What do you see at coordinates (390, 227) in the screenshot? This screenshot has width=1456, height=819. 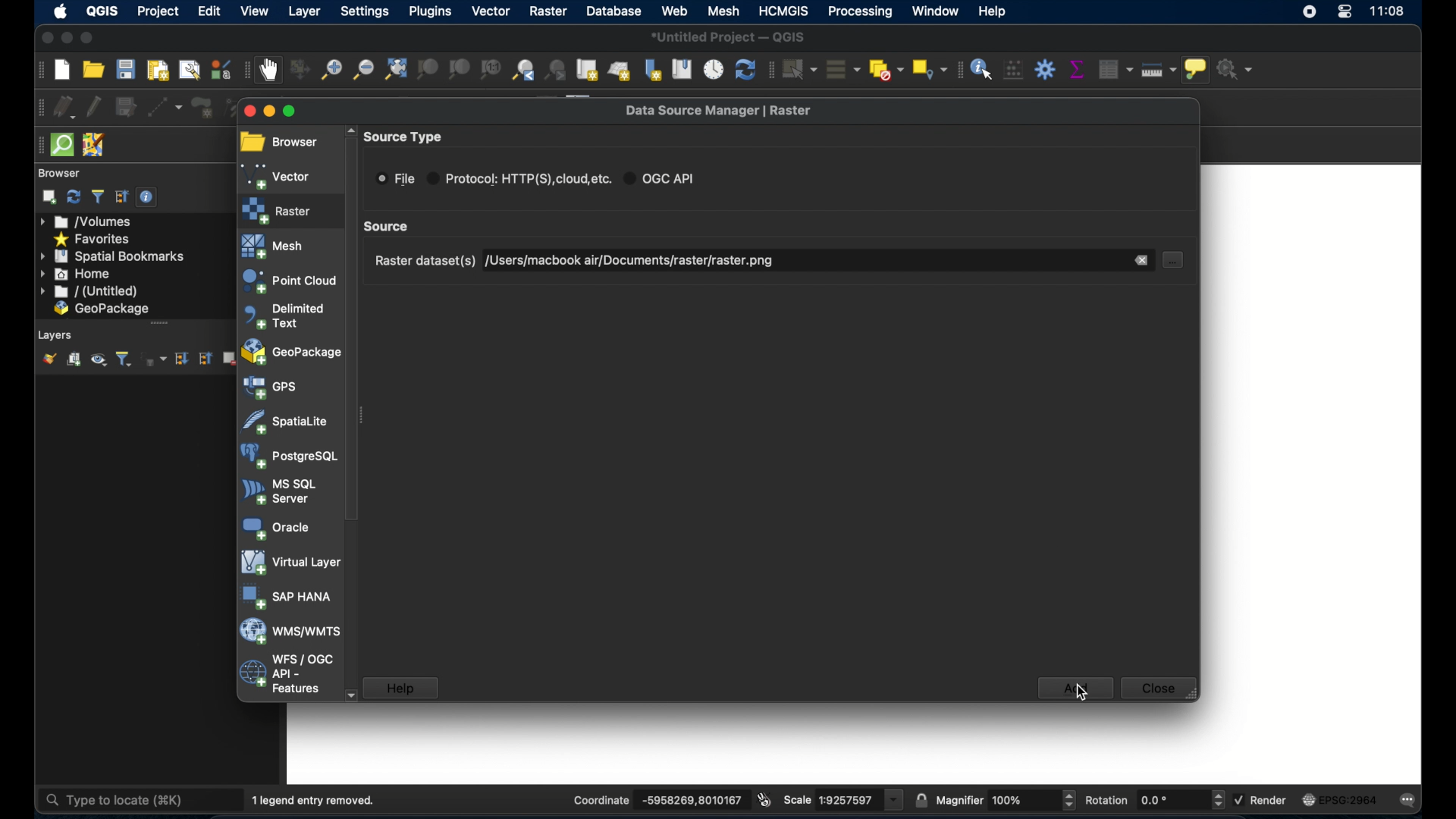 I see `scroll box` at bounding box center [390, 227].